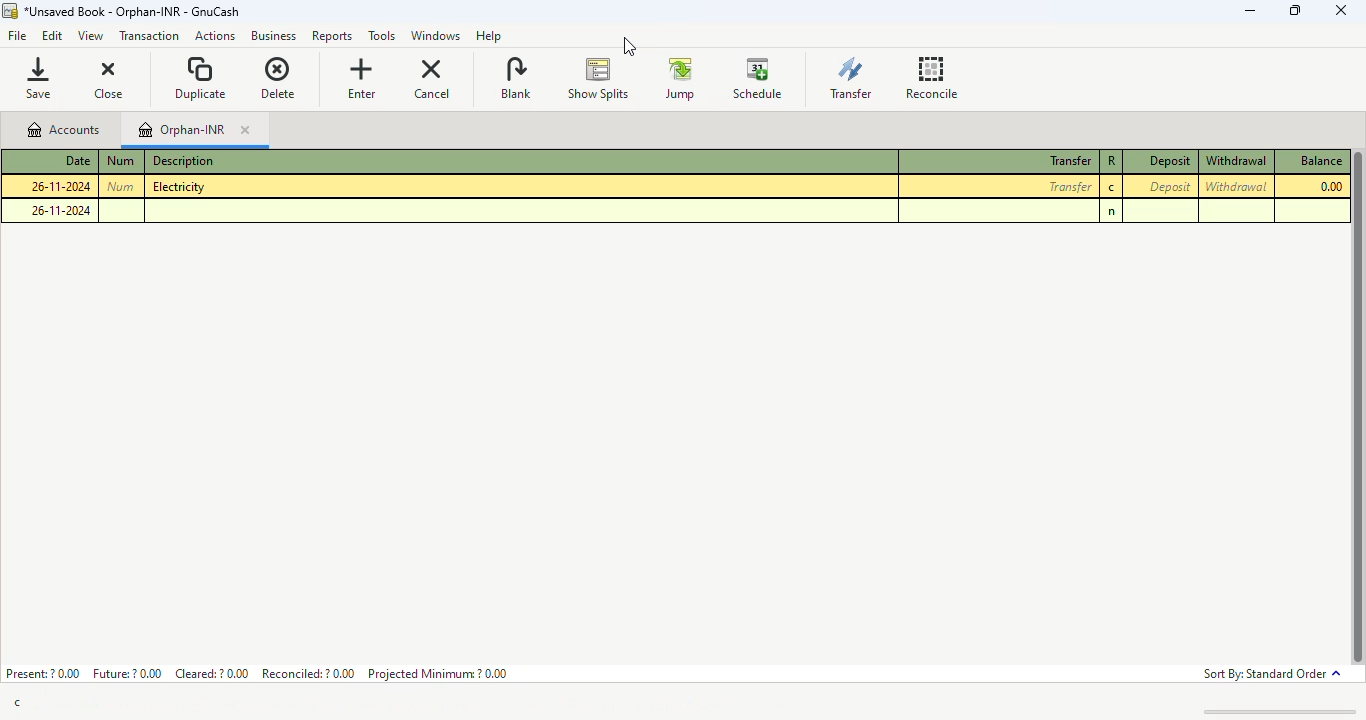 The height and width of the screenshot is (720, 1366). What do you see at coordinates (308, 673) in the screenshot?
I see `reconciled: ? 0.00` at bounding box center [308, 673].